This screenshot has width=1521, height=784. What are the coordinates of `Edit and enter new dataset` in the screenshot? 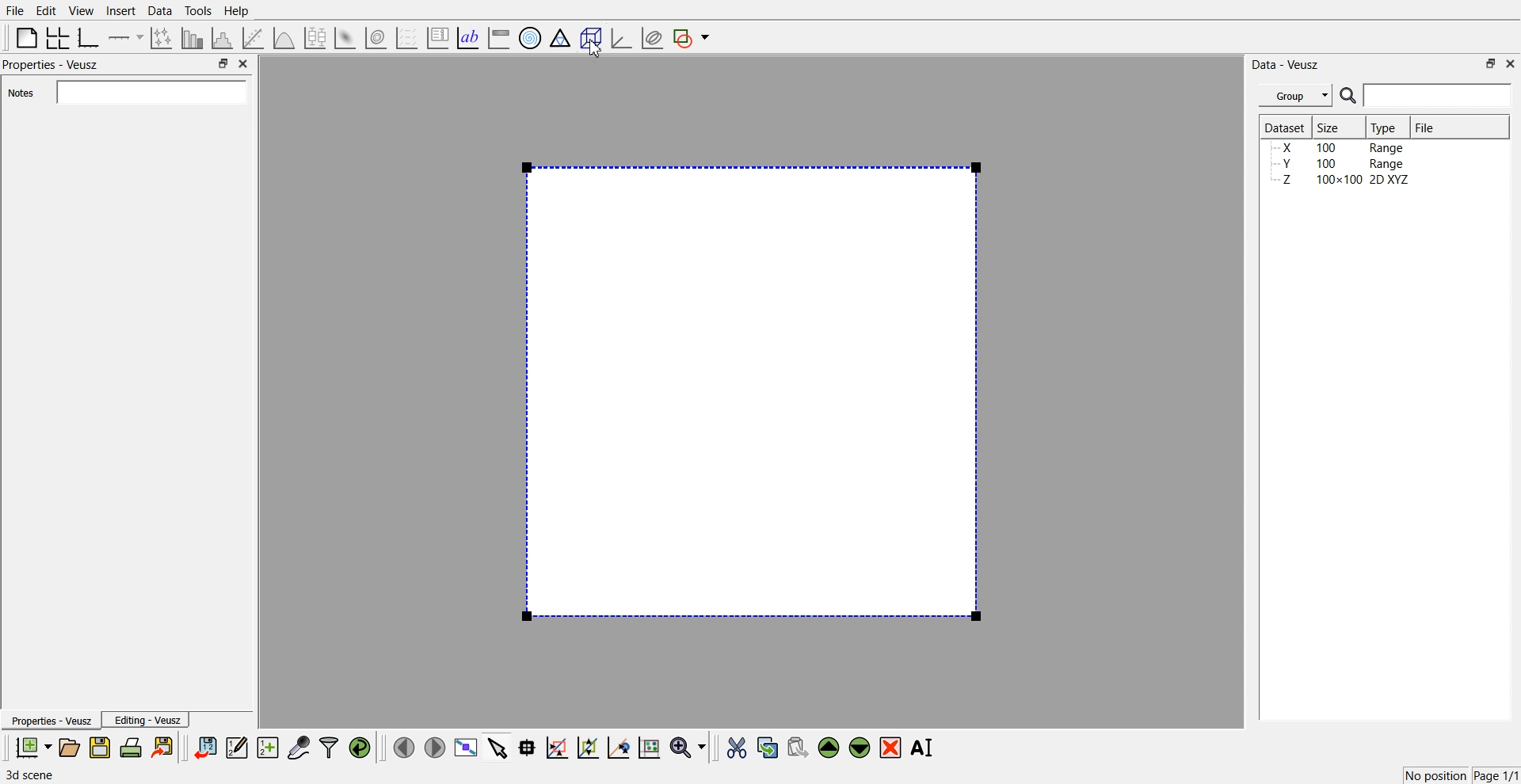 It's located at (236, 747).